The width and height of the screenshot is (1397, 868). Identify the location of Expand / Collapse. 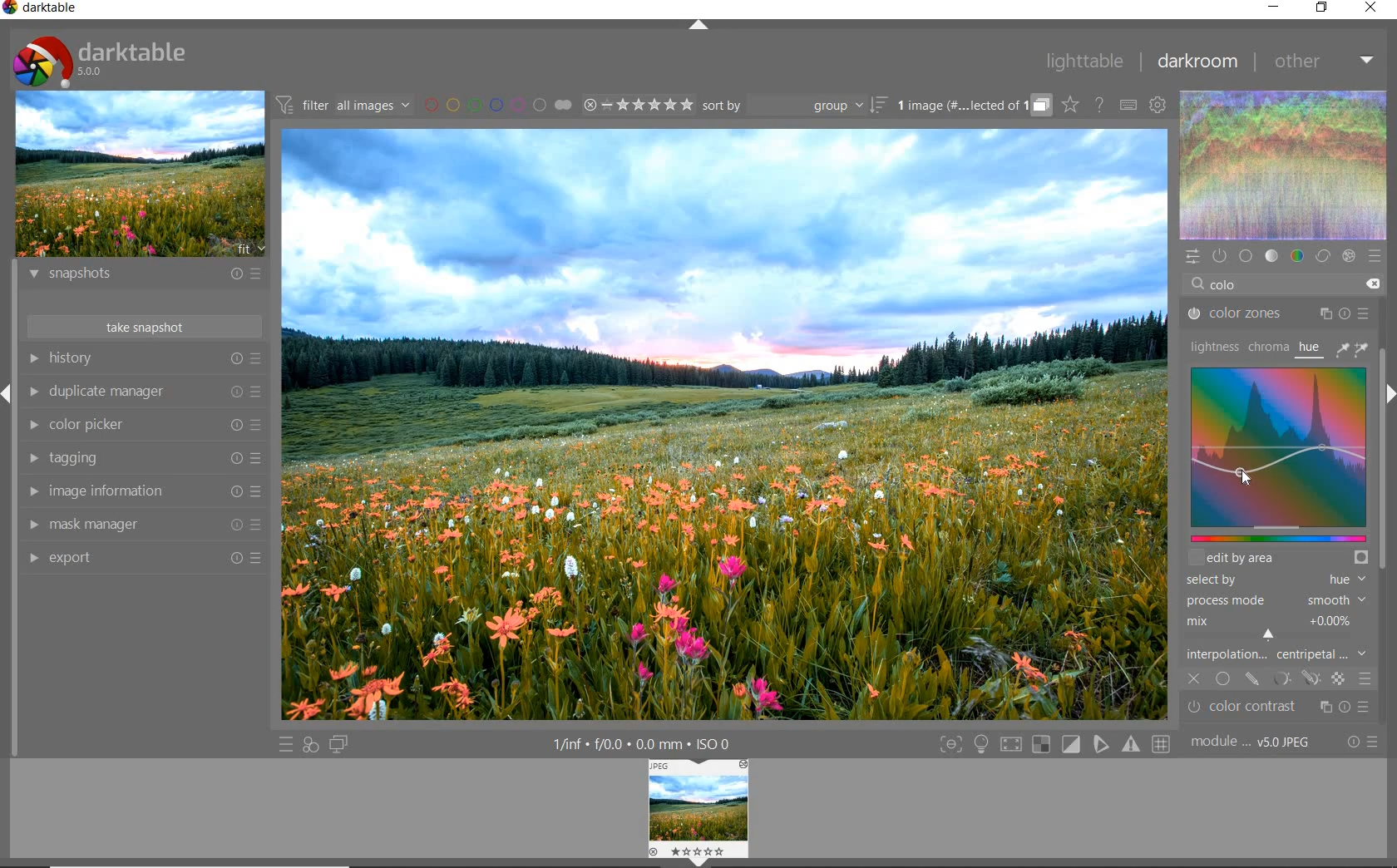
(8, 392).